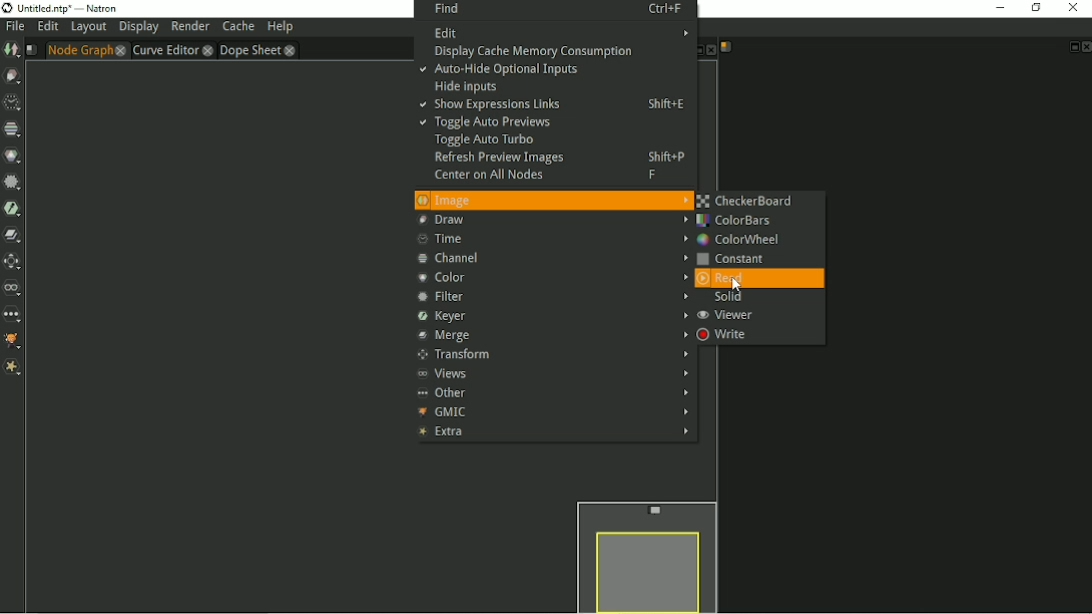 This screenshot has height=614, width=1092. What do you see at coordinates (552, 200) in the screenshot?
I see `Image` at bounding box center [552, 200].